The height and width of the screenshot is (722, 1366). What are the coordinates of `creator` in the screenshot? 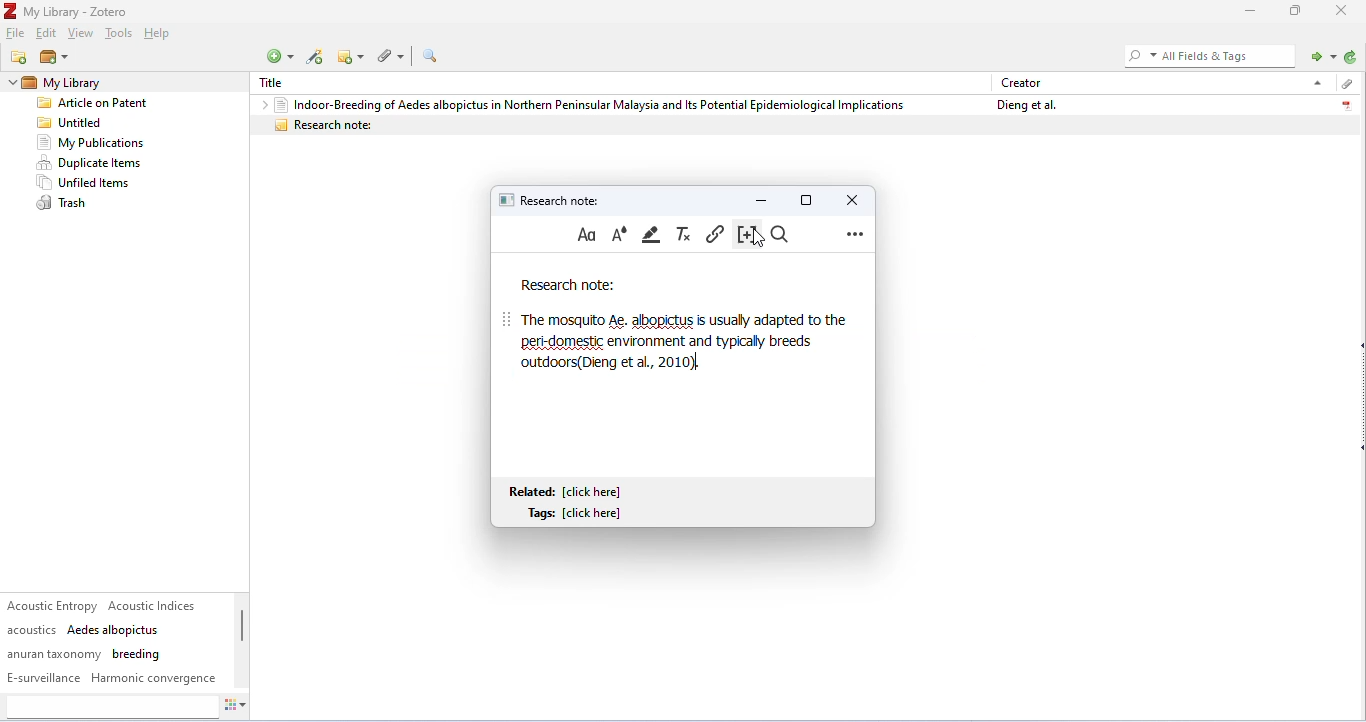 It's located at (1022, 82).